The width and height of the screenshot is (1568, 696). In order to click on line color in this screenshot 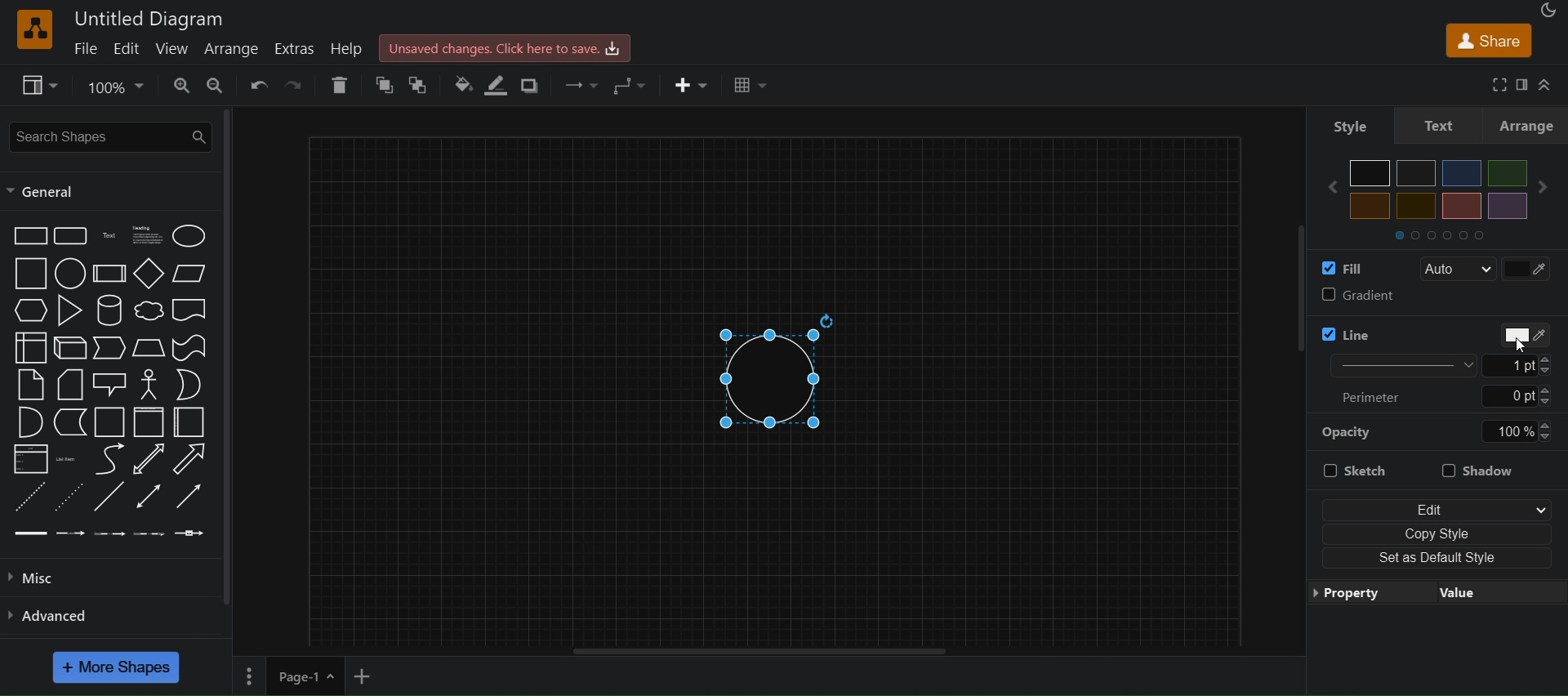, I will do `click(1383, 330)`.